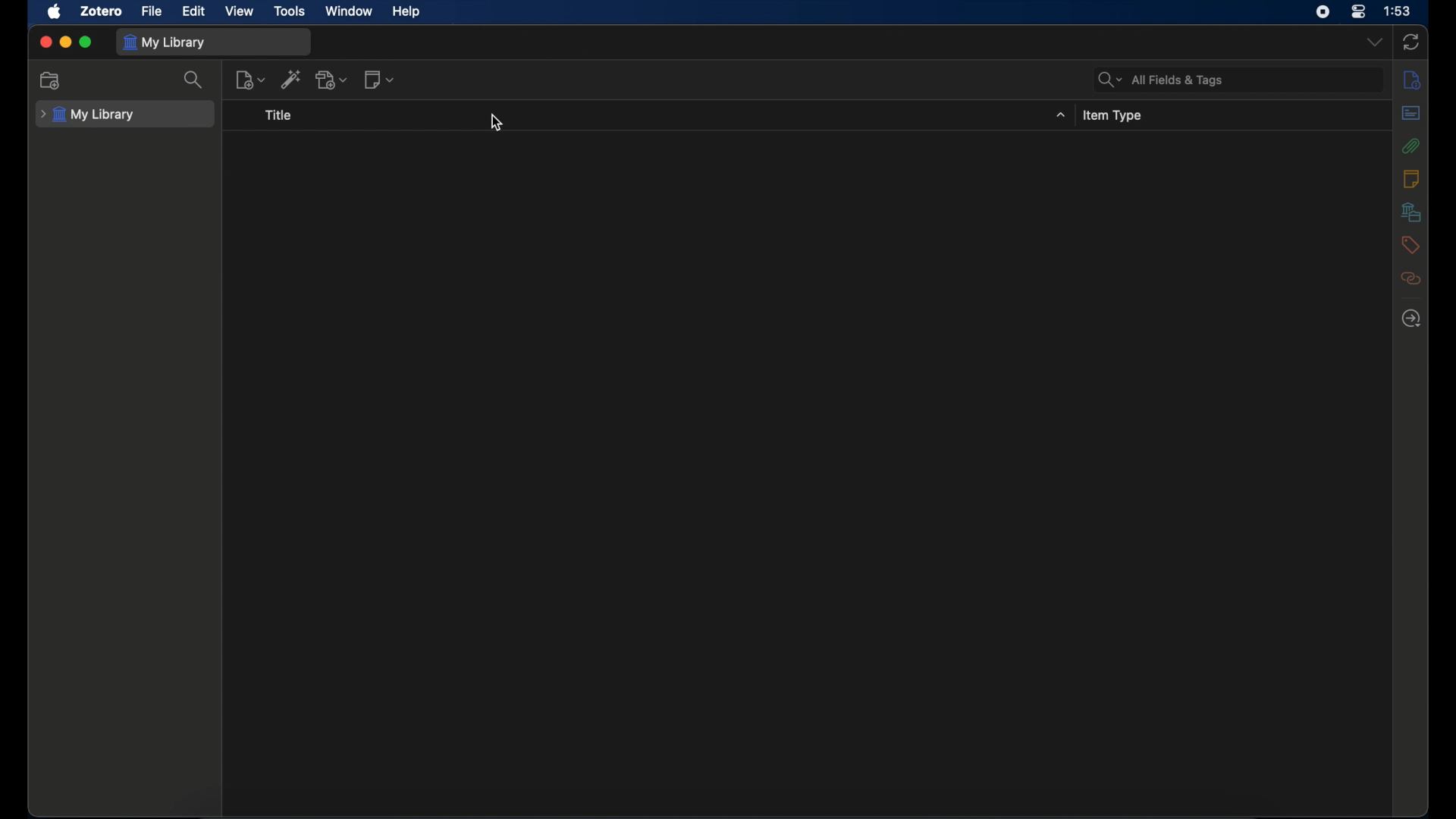  Describe the element at coordinates (1410, 146) in the screenshot. I see `attachments` at that location.